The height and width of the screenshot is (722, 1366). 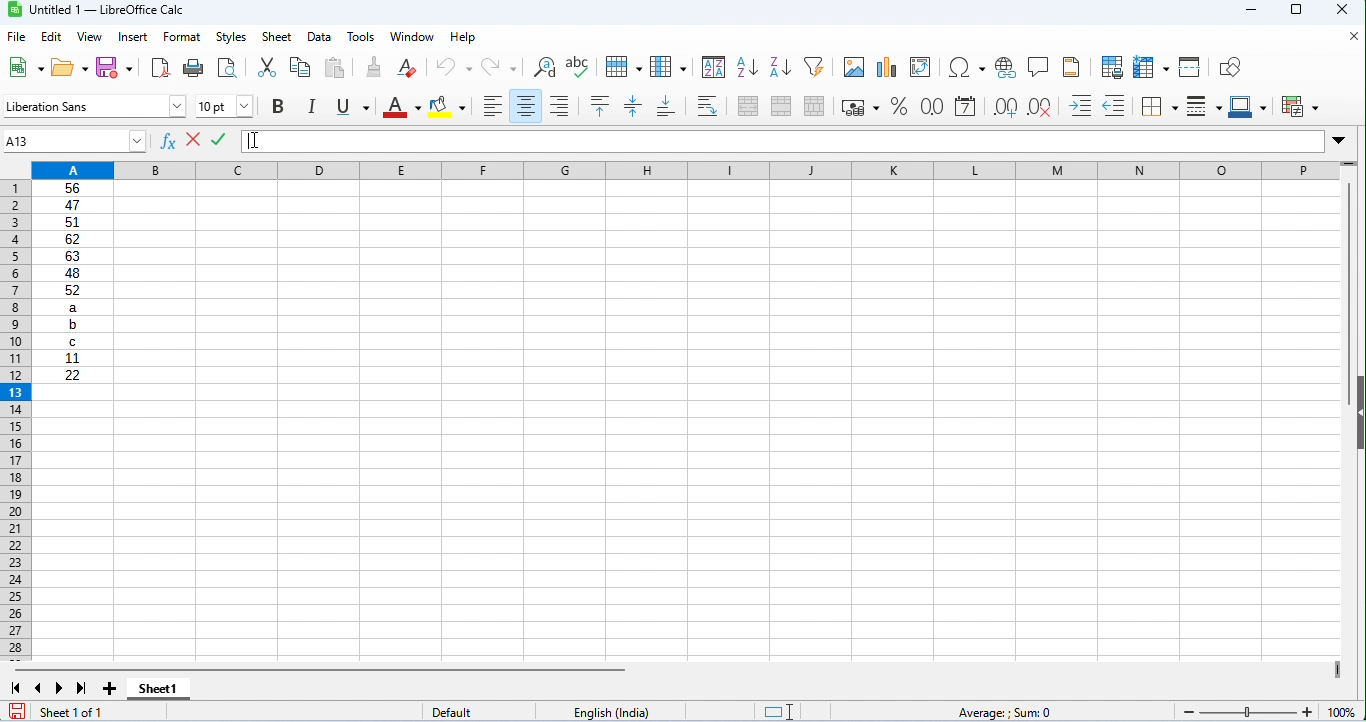 What do you see at coordinates (1307, 712) in the screenshot?
I see `Zoom in` at bounding box center [1307, 712].